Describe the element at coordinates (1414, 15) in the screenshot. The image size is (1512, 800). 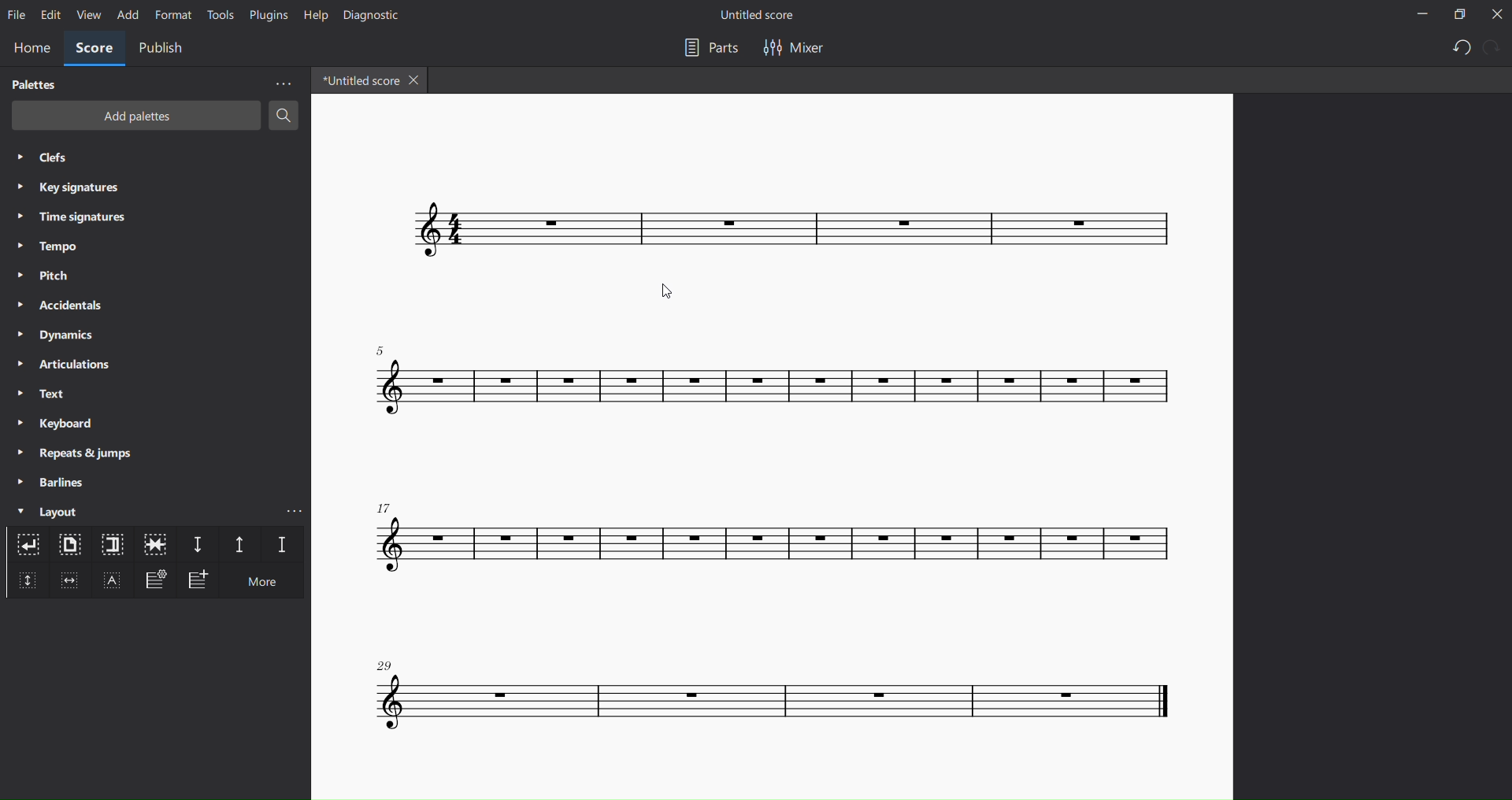
I see `minimize` at that location.